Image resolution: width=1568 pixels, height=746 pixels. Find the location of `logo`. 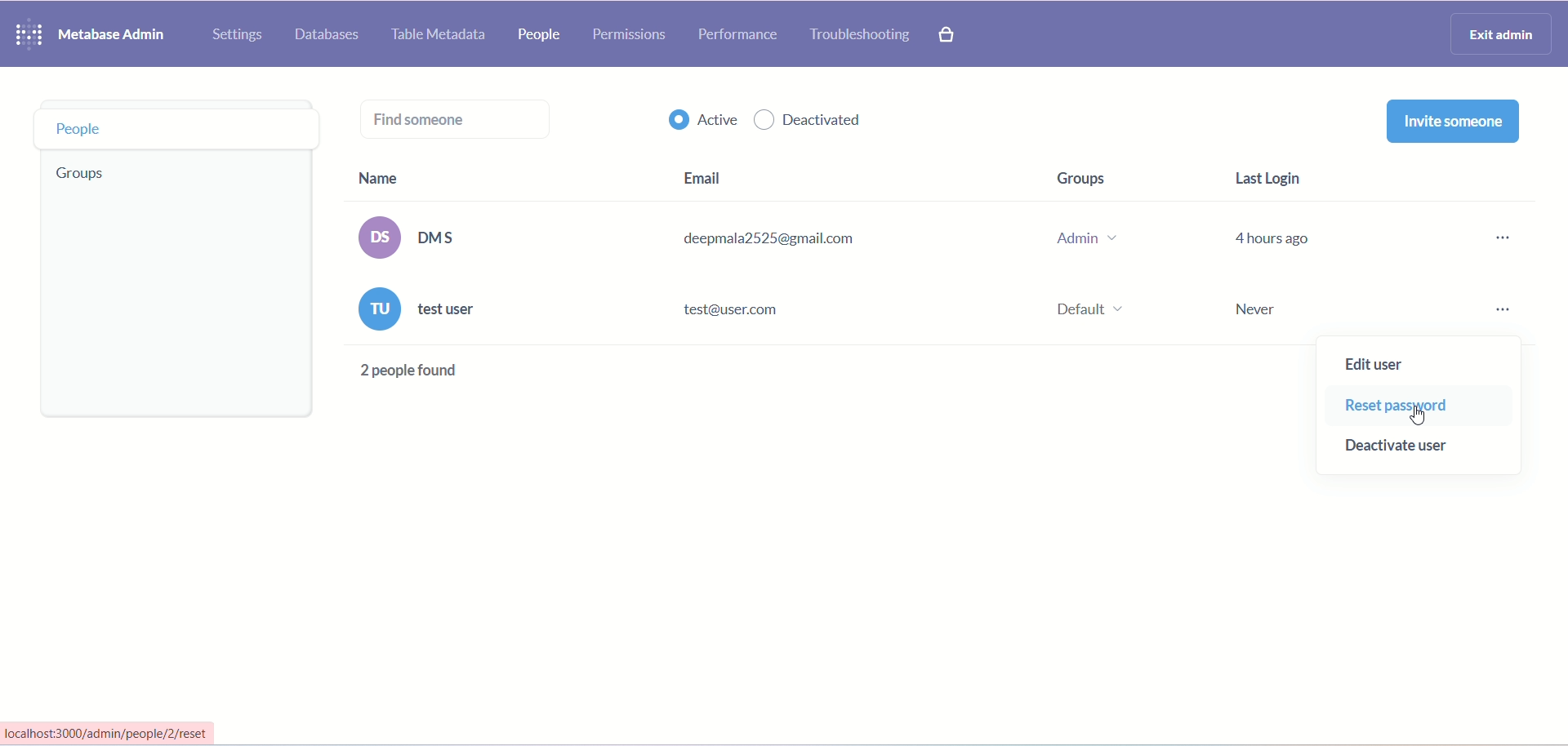

logo is located at coordinates (29, 33).